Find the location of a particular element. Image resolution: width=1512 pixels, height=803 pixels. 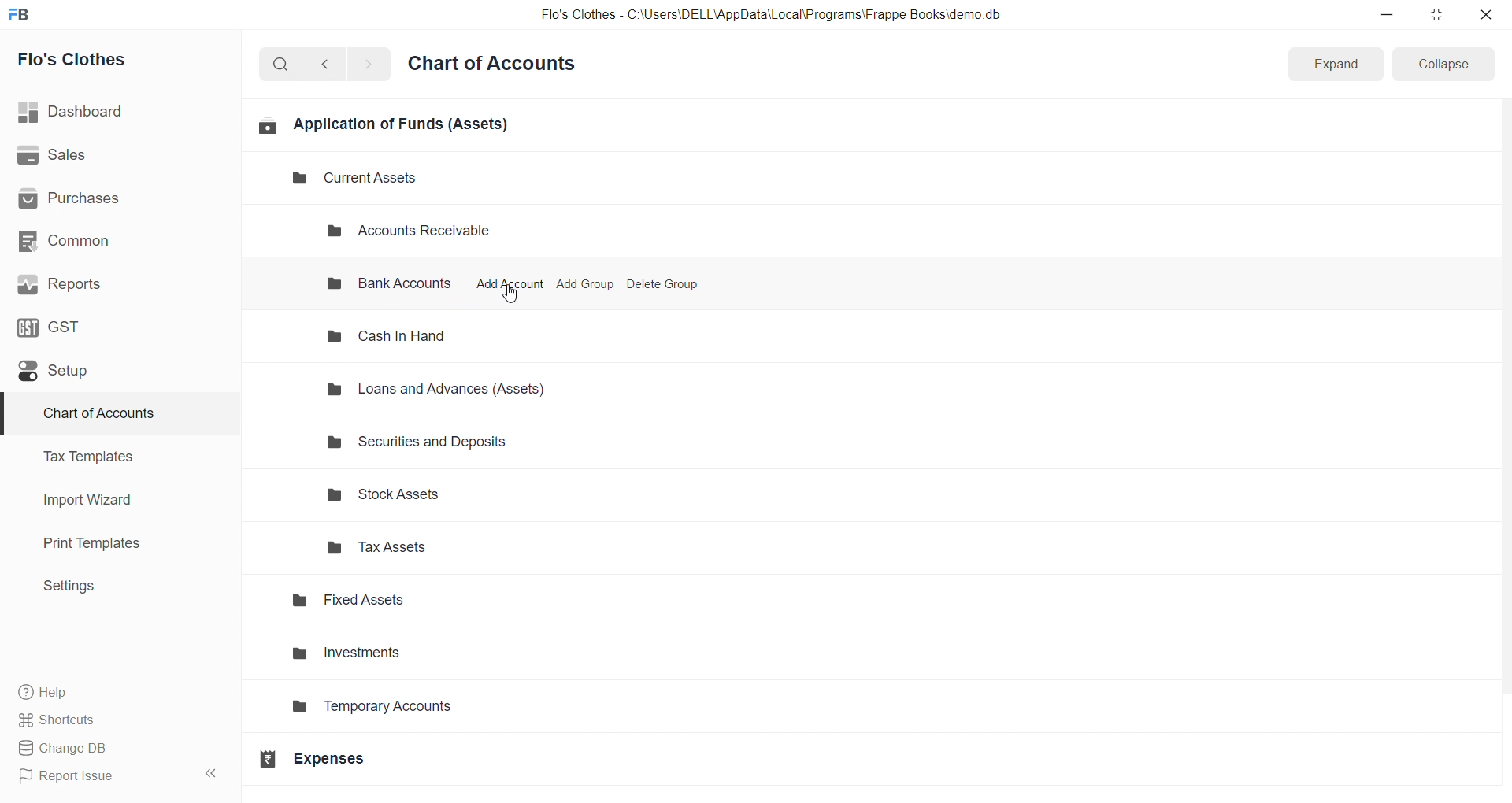

Reports is located at coordinates (113, 284).